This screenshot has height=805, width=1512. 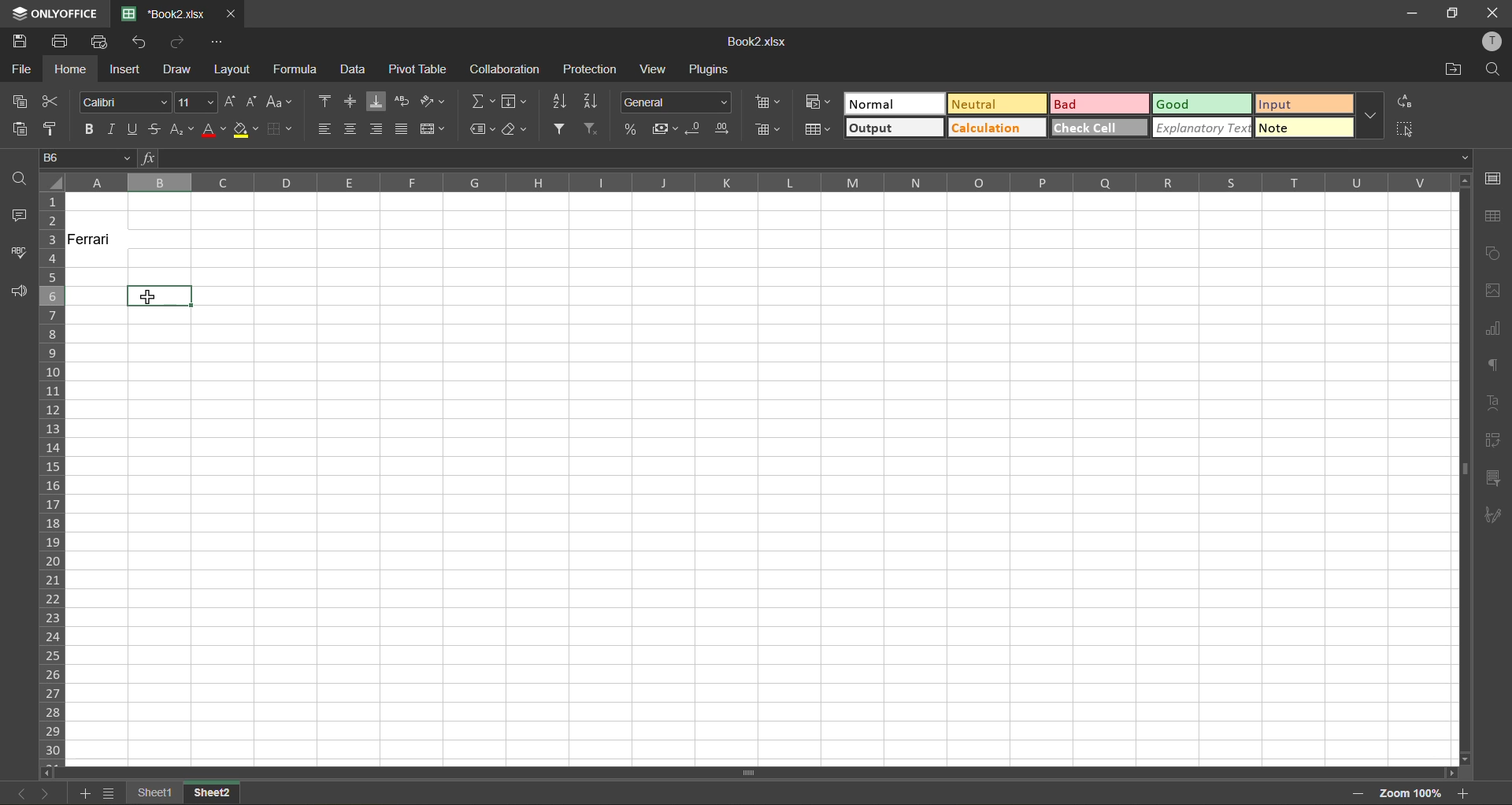 What do you see at coordinates (996, 127) in the screenshot?
I see `calculation` at bounding box center [996, 127].